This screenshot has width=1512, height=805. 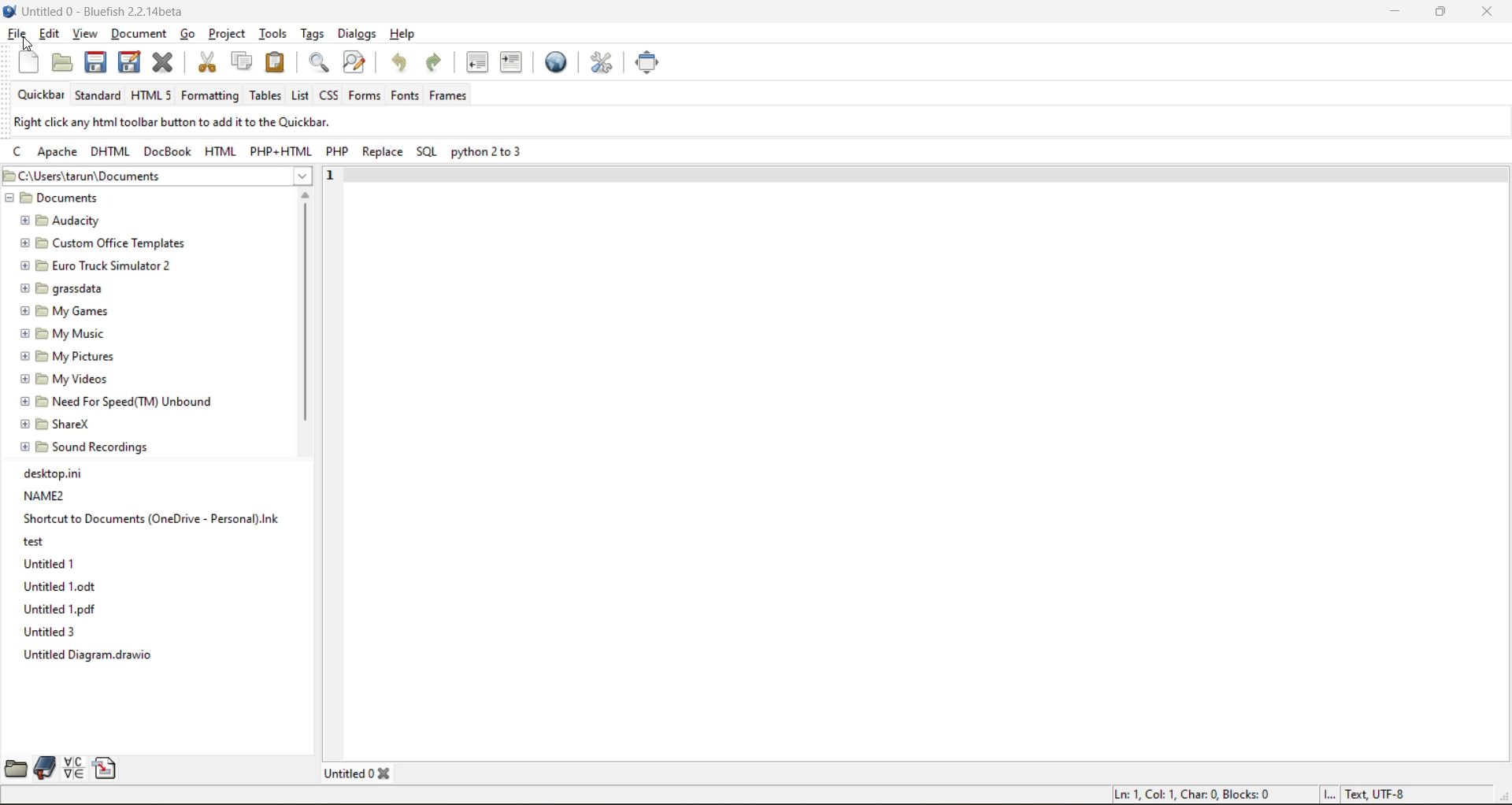 What do you see at coordinates (360, 772) in the screenshot?
I see `tabs` at bounding box center [360, 772].